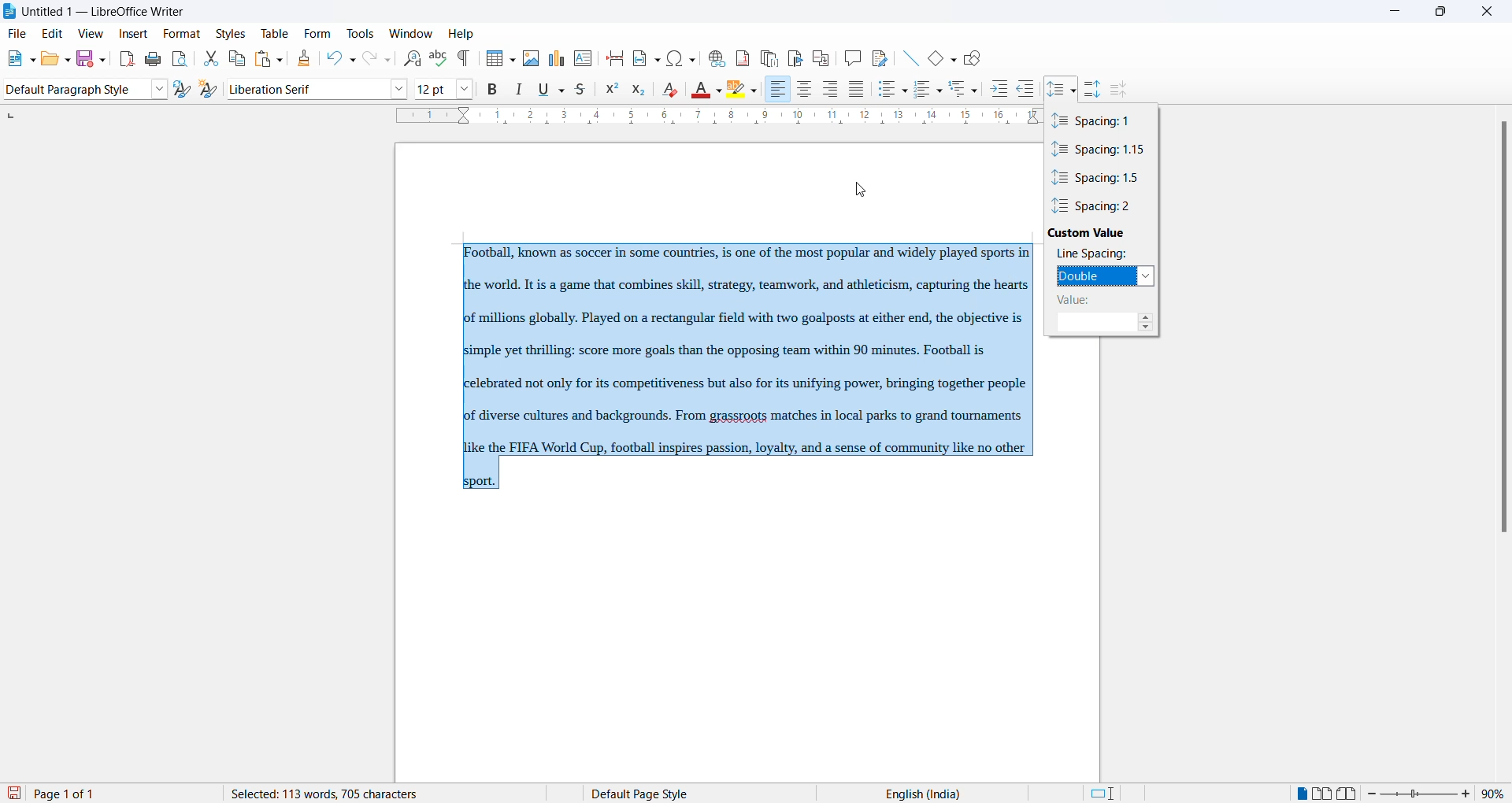 The height and width of the screenshot is (803, 1512). I want to click on spellings, so click(440, 57).